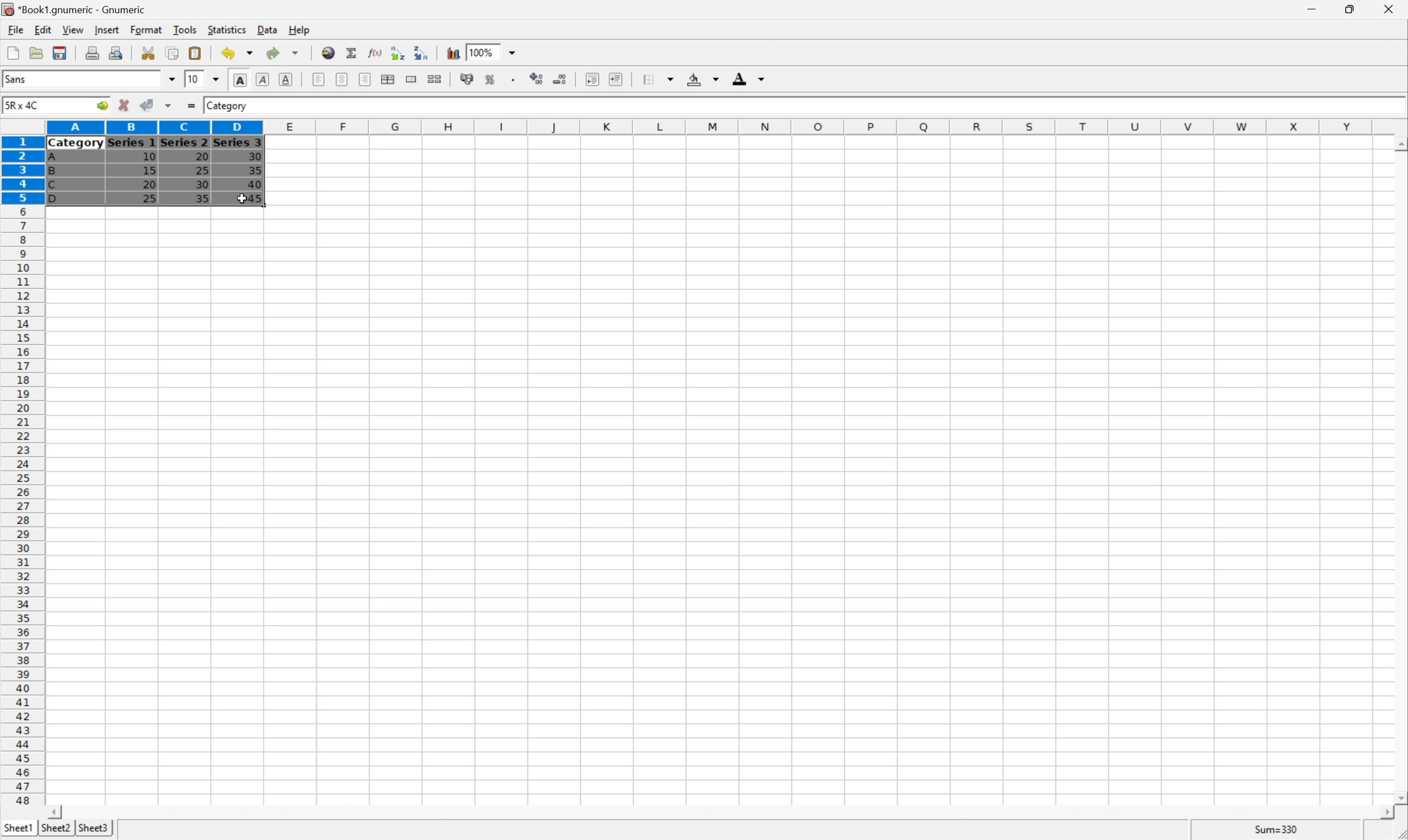 The width and height of the screenshot is (1408, 840). Describe the element at coordinates (55, 828) in the screenshot. I see `Sheet2` at that location.